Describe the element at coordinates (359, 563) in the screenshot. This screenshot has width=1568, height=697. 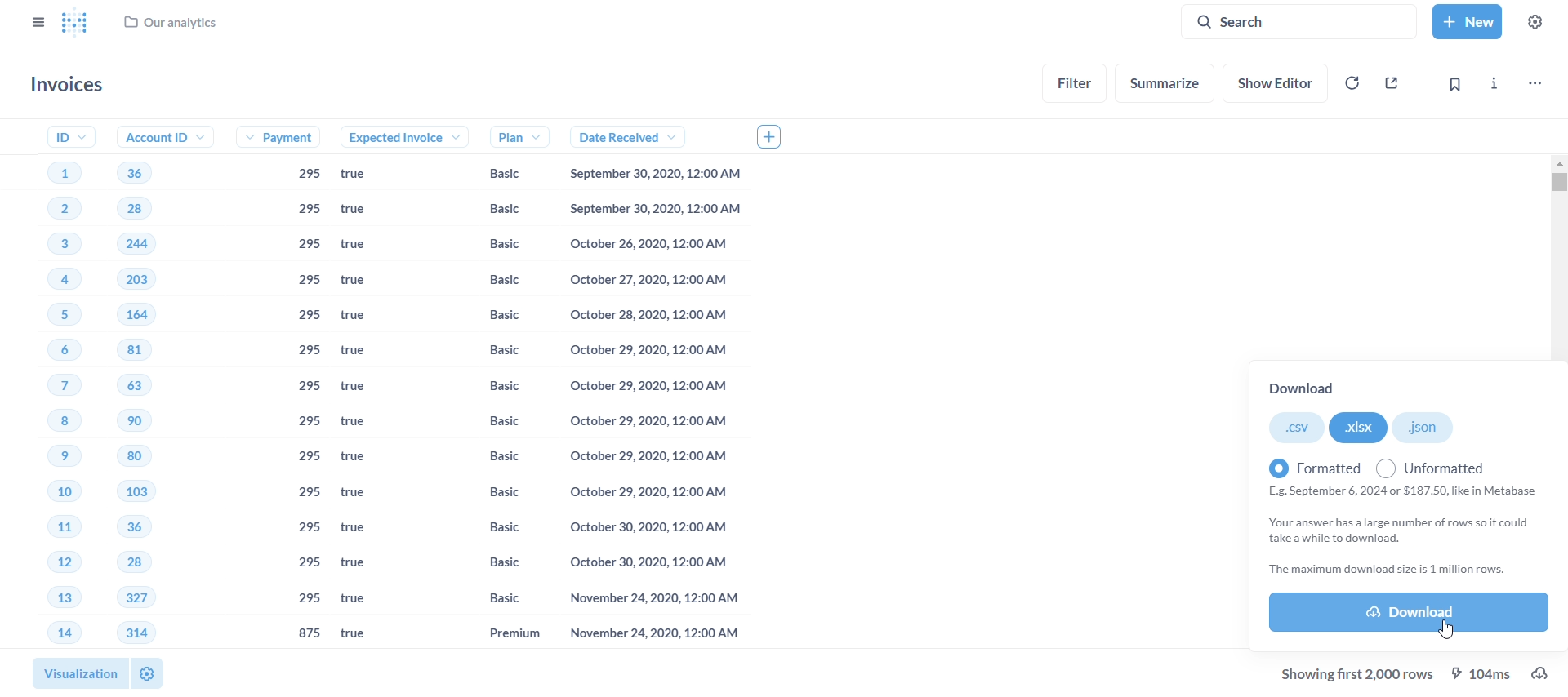
I see `true` at that location.